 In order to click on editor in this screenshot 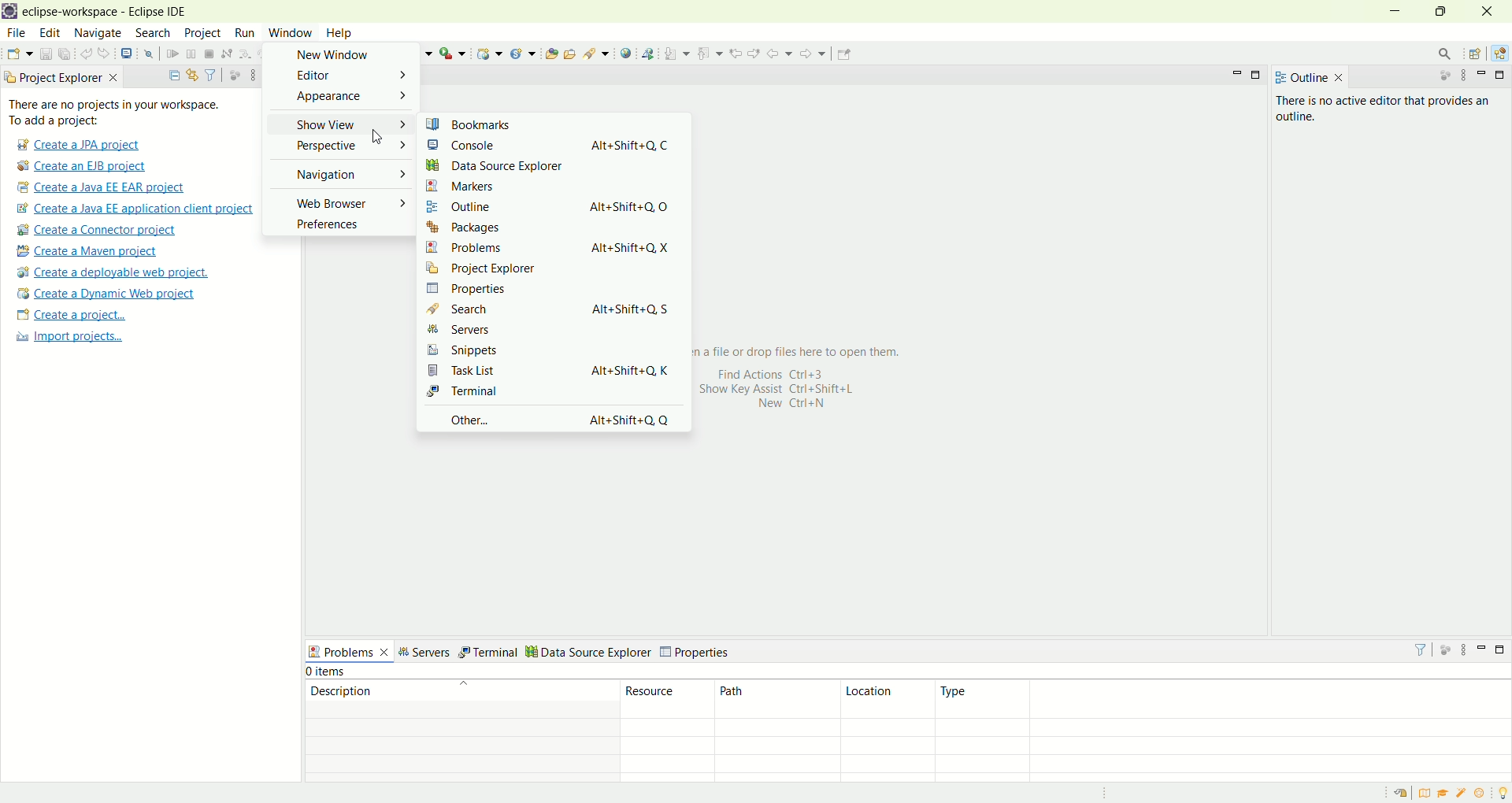, I will do `click(342, 80)`.